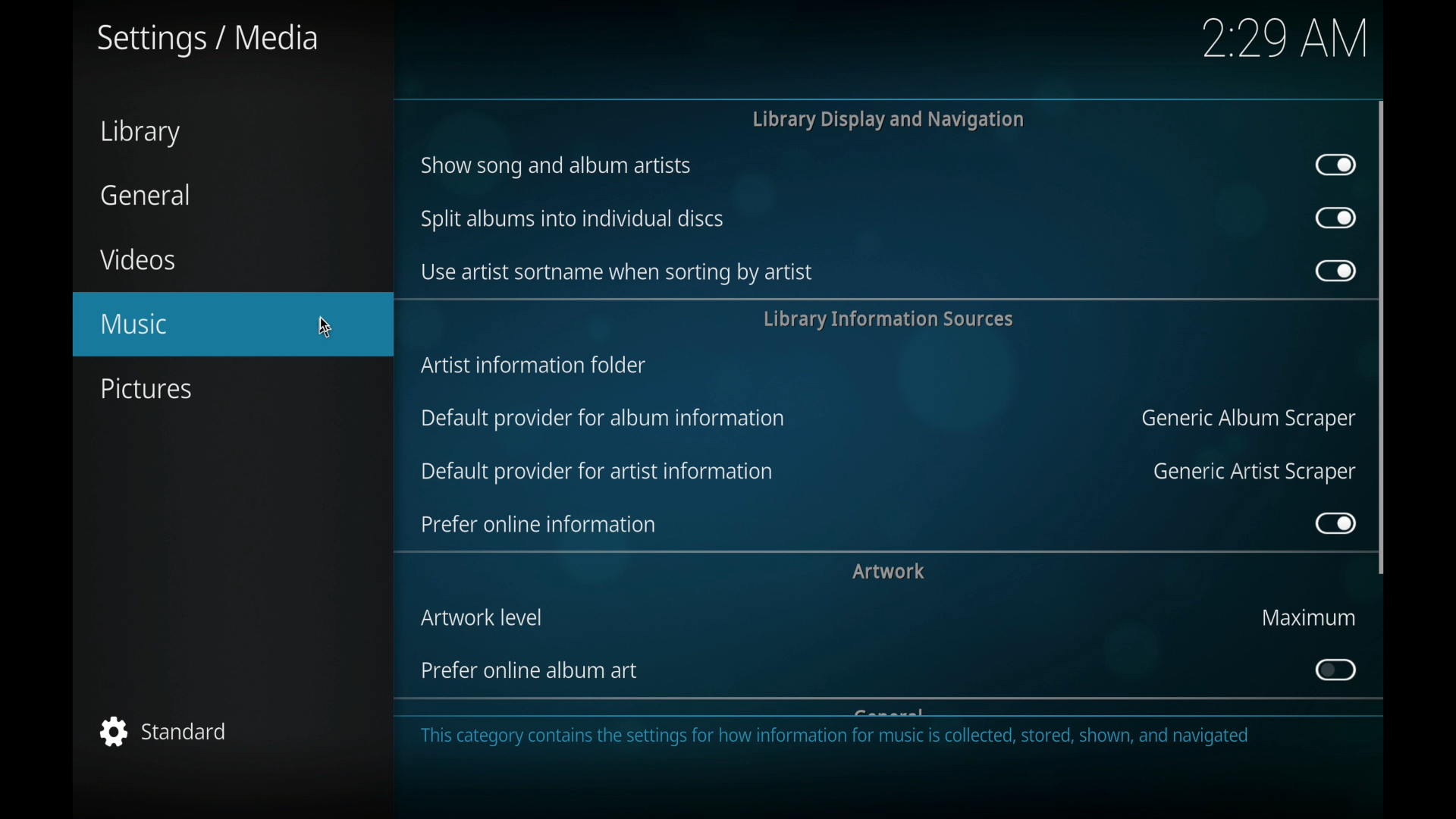  I want to click on library information services, so click(887, 319).